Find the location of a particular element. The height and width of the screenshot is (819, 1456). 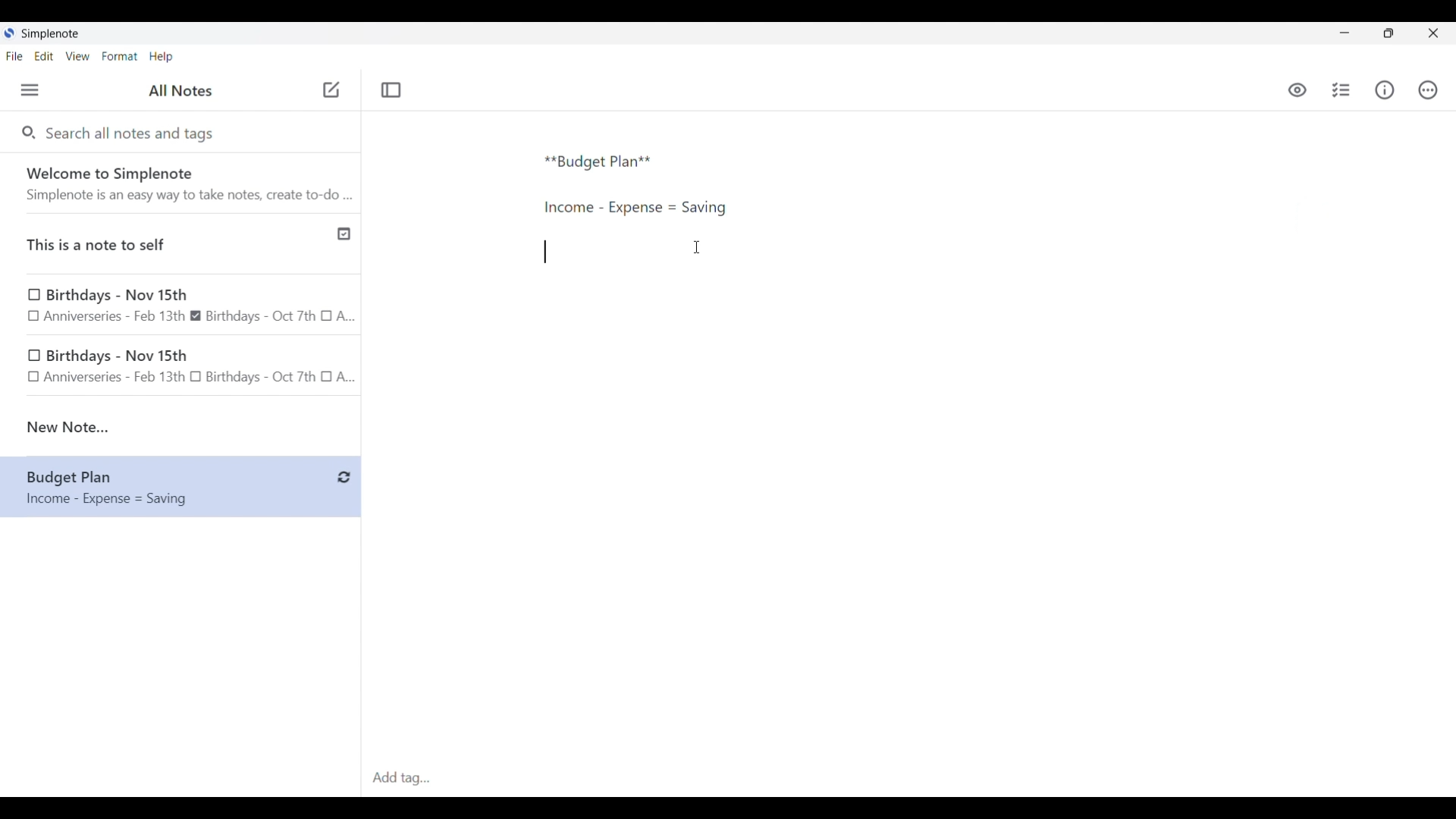

Click to type in tags is located at coordinates (908, 779).